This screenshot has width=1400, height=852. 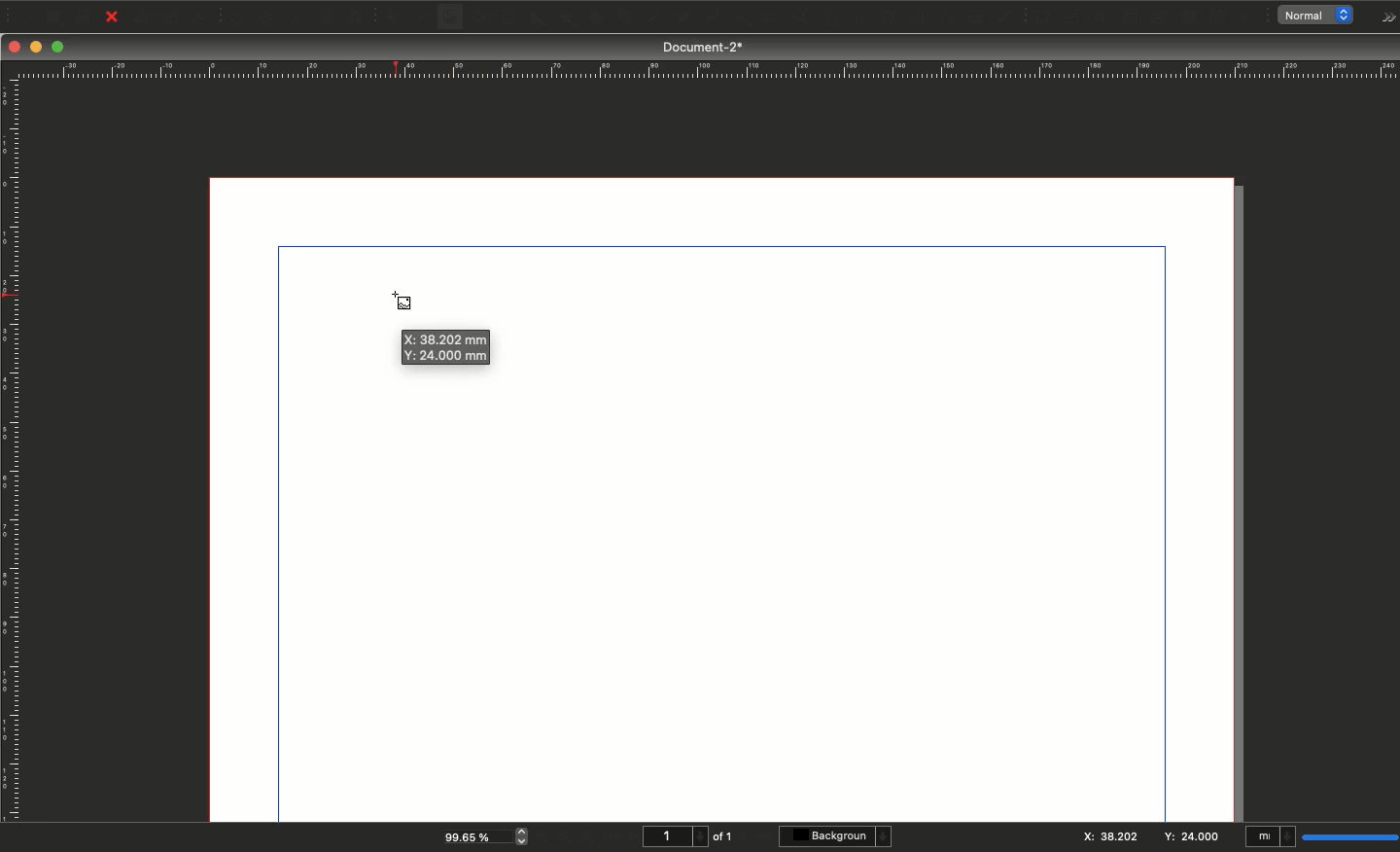 What do you see at coordinates (567, 18) in the screenshot?
I see `Polygon` at bounding box center [567, 18].